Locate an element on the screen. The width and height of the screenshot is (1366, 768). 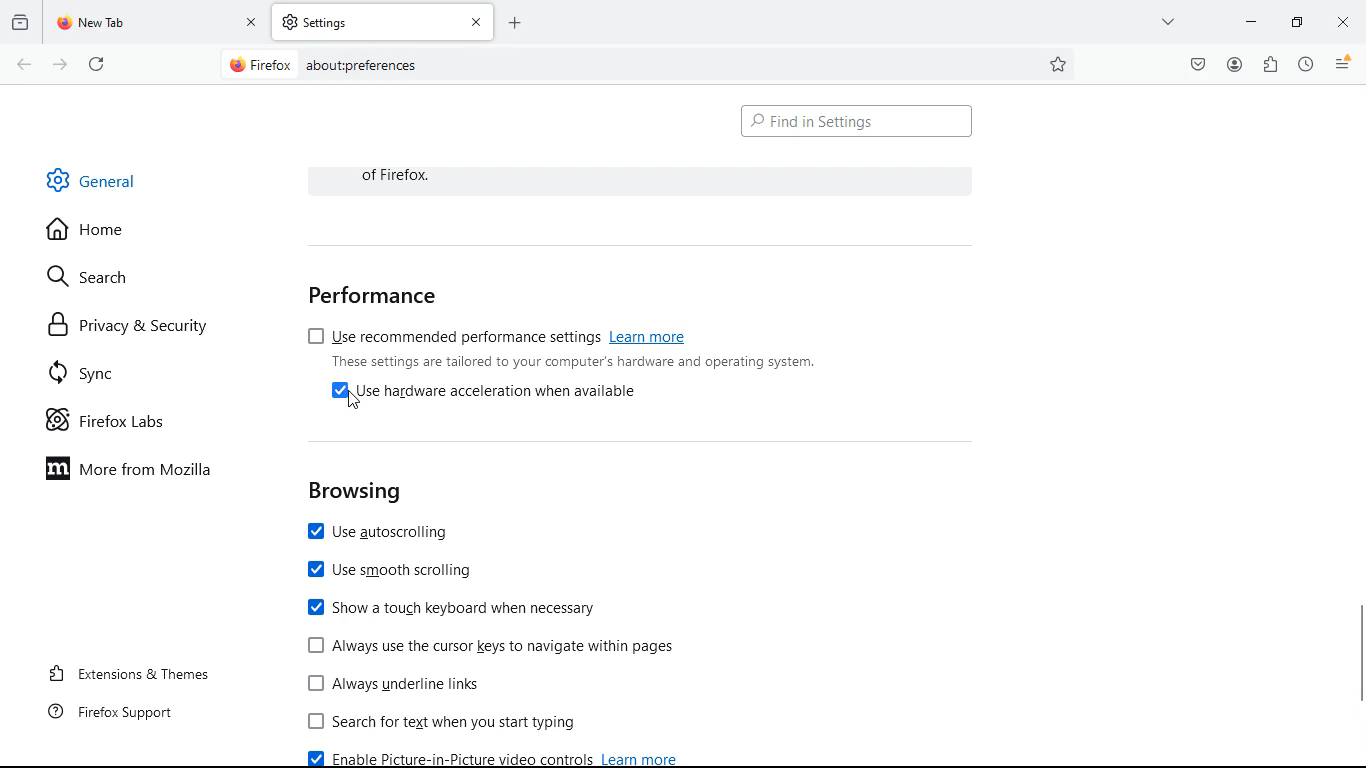
show touch keyboard when necessary is located at coordinates (452, 606).